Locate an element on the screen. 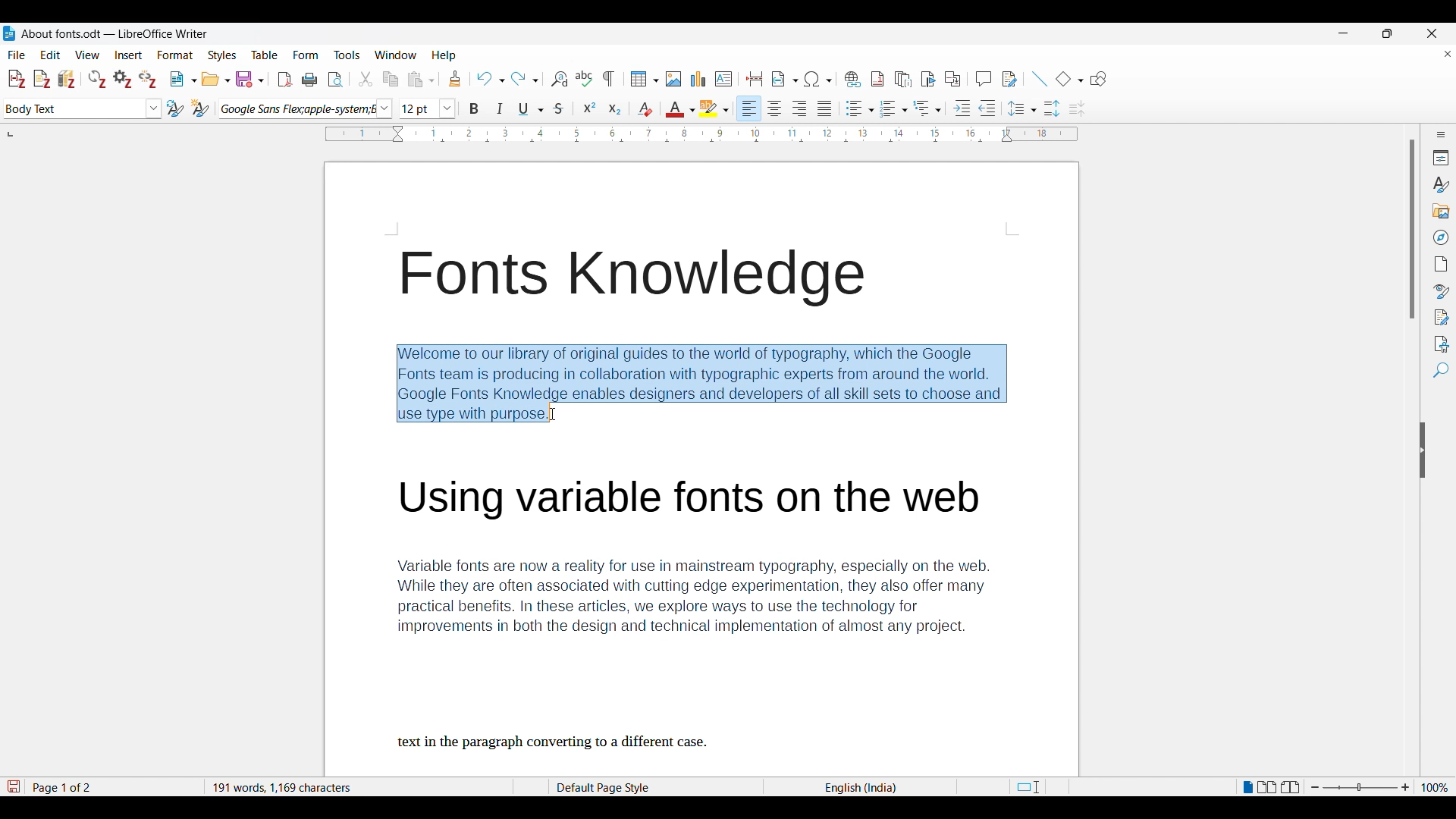  Insert cross-reference is located at coordinates (952, 79).